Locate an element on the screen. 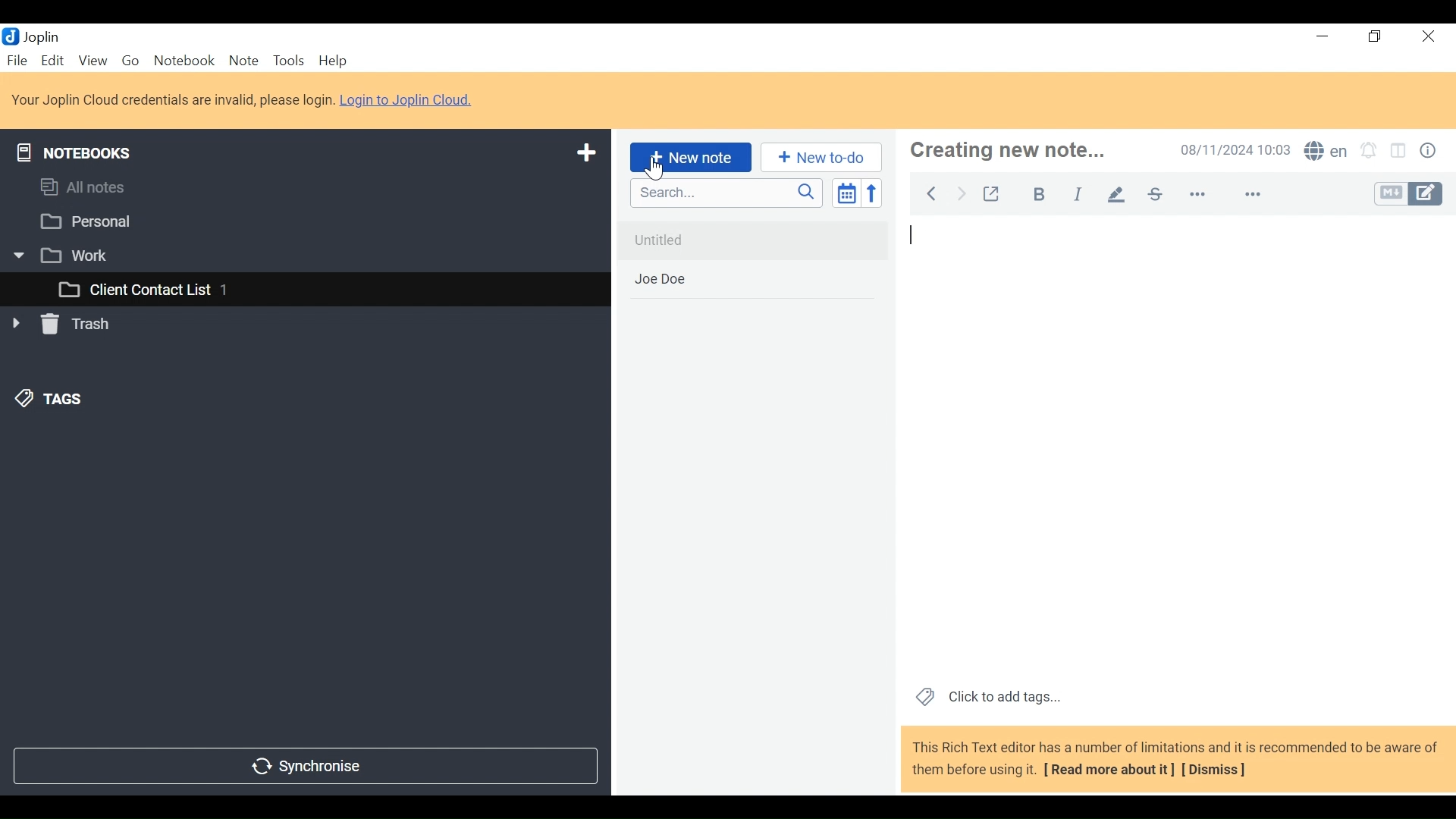  Reverse sort order is located at coordinates (871, 193).